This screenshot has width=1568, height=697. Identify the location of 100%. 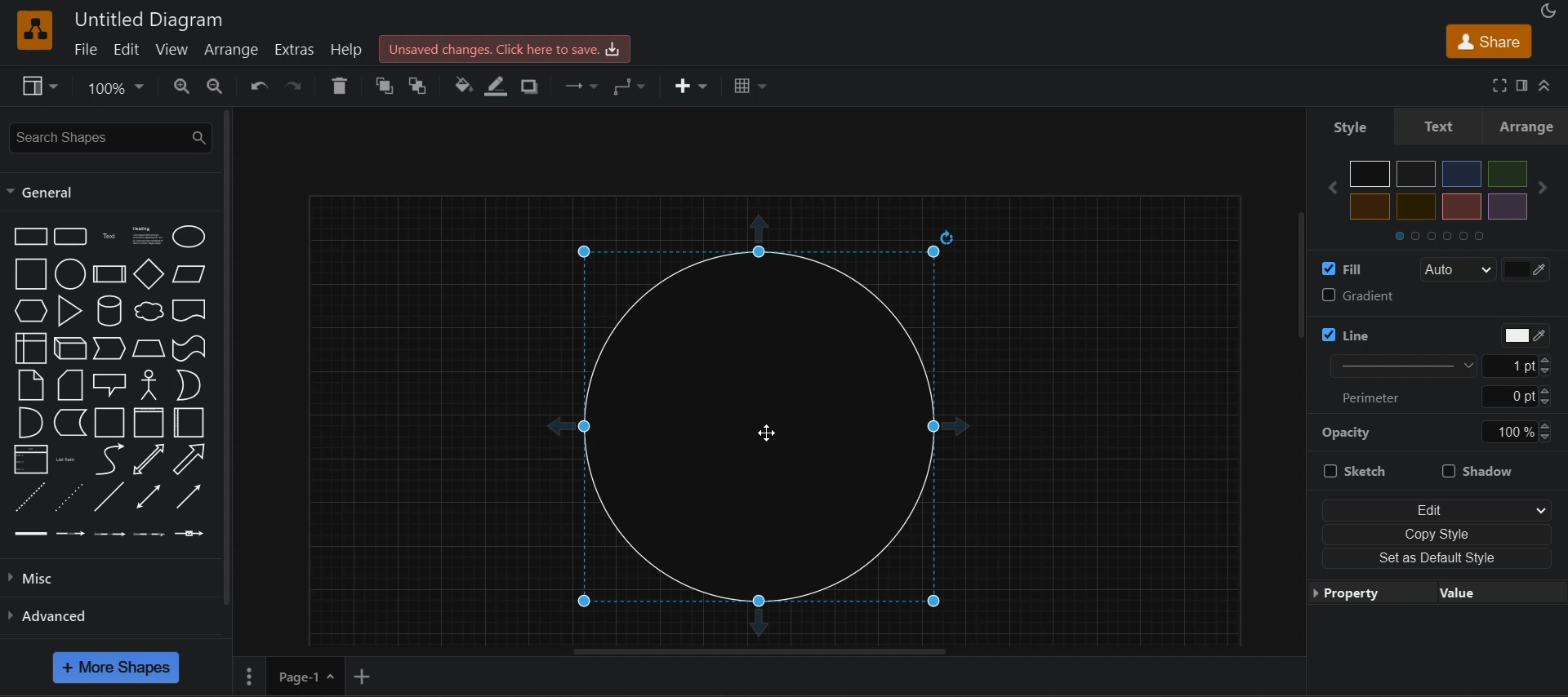
(1519, 431).